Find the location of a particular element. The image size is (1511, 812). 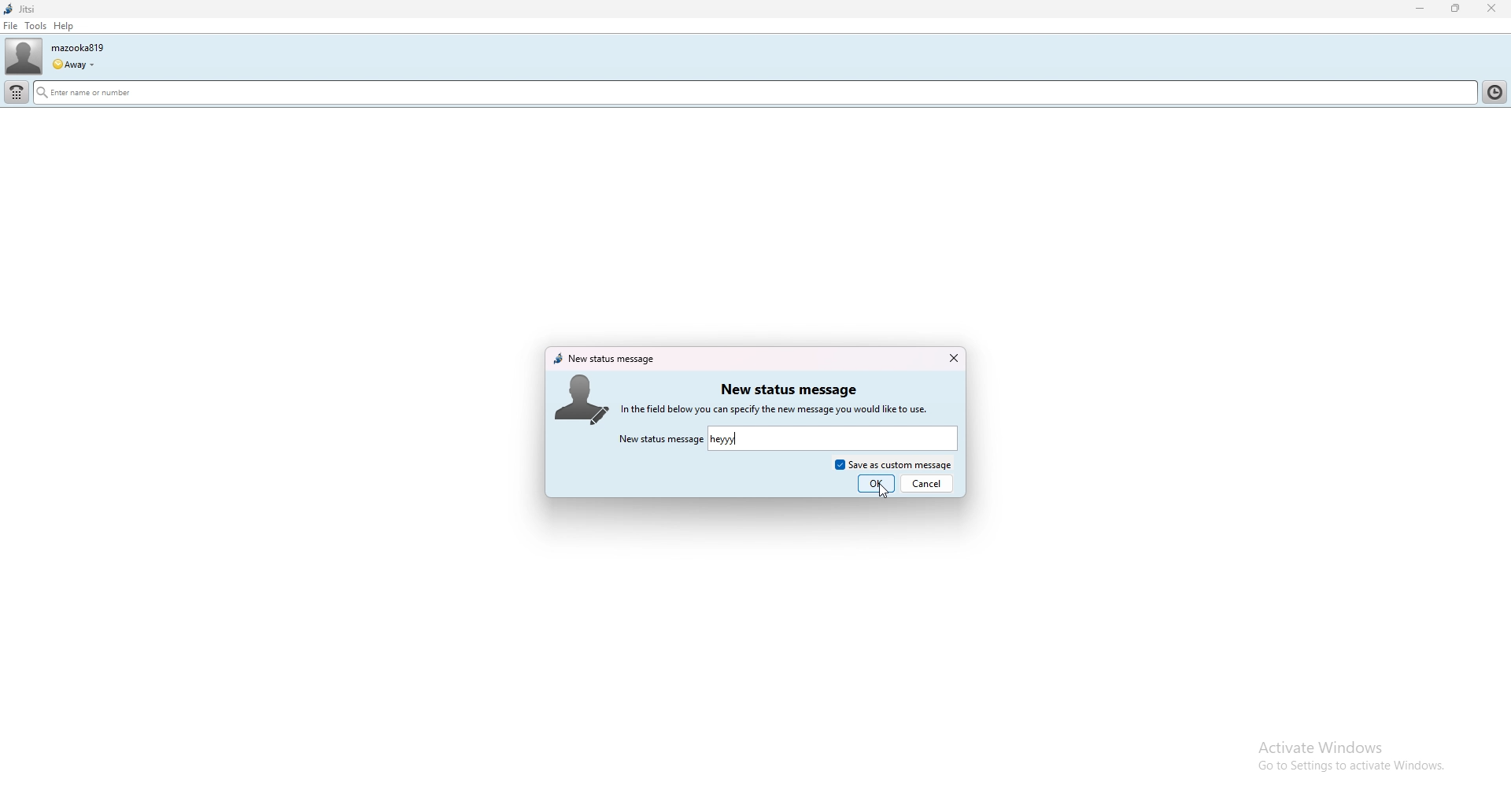

minimize is located at coordinates (1420, 9).